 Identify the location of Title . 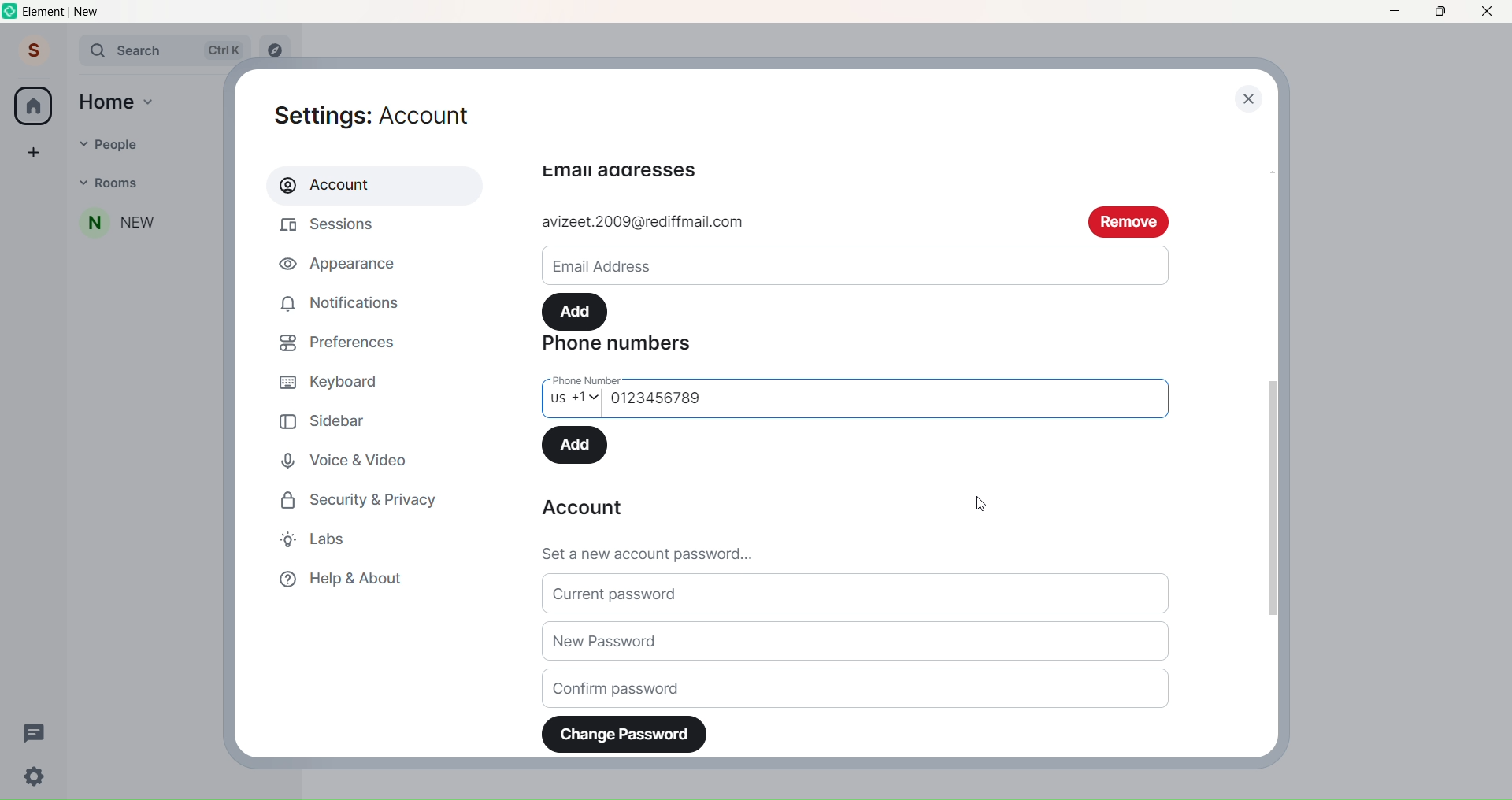
(76, 12).